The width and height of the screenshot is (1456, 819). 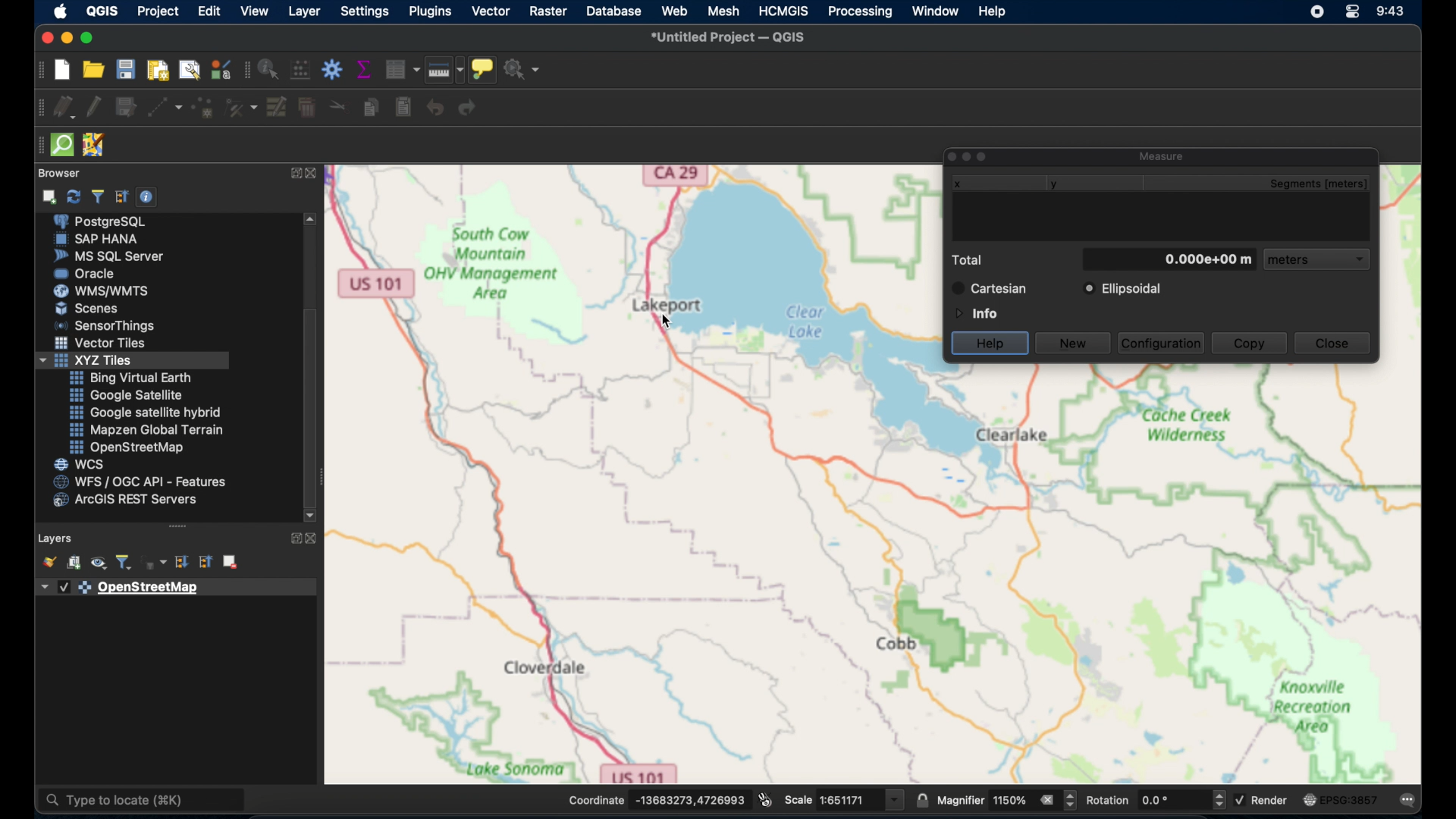 What do you see at coordinates (102, 345) in the screenshot?
I see `` at bounding box center [102, 345].